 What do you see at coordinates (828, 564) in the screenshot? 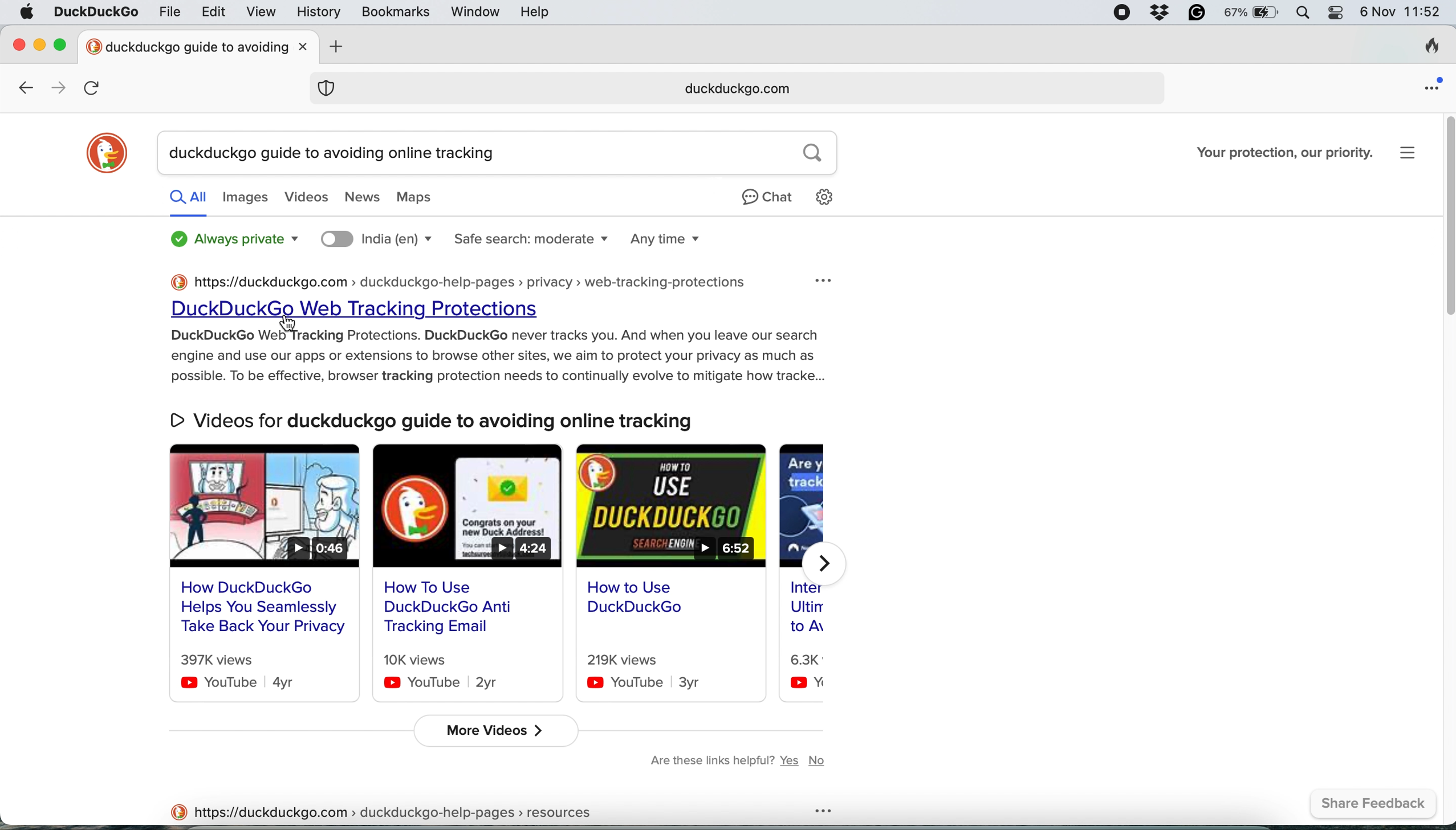
I see `forward` at bounding box center [828, 564].